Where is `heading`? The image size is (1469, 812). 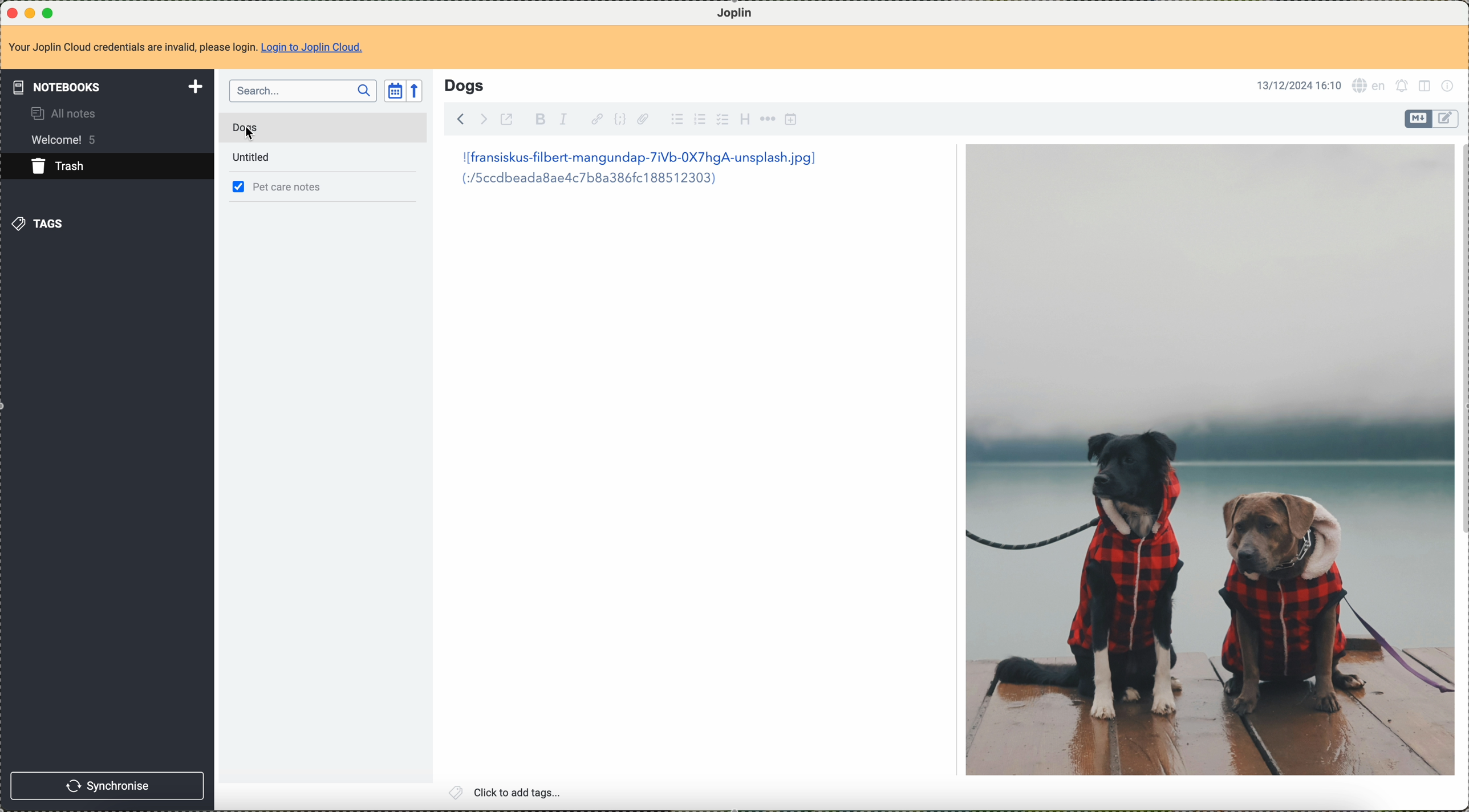 heading is located at coordinates (745, 120).